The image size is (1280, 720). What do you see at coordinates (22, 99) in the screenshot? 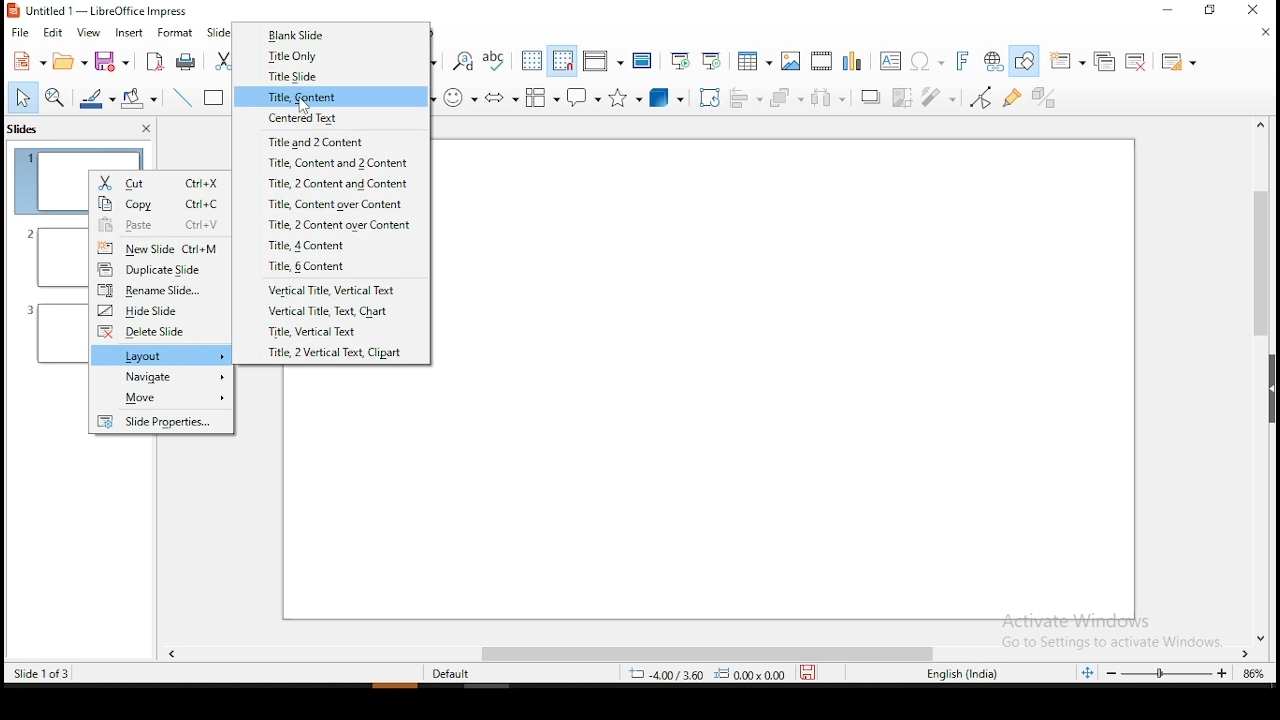
I see `select tool` at bounding box center [22, 99].